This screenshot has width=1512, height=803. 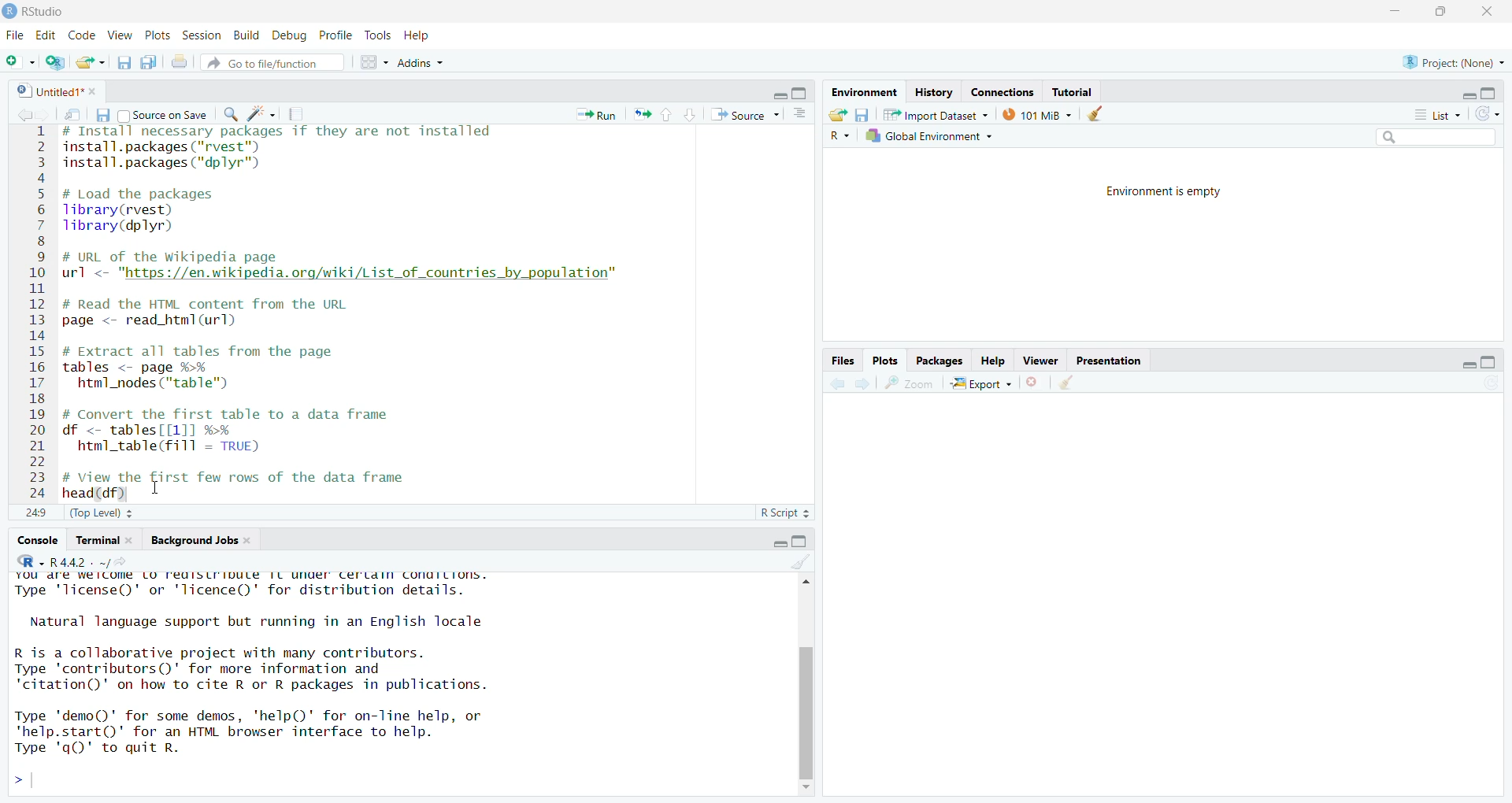 I want to click on minimize, so click(x=779, y=542).